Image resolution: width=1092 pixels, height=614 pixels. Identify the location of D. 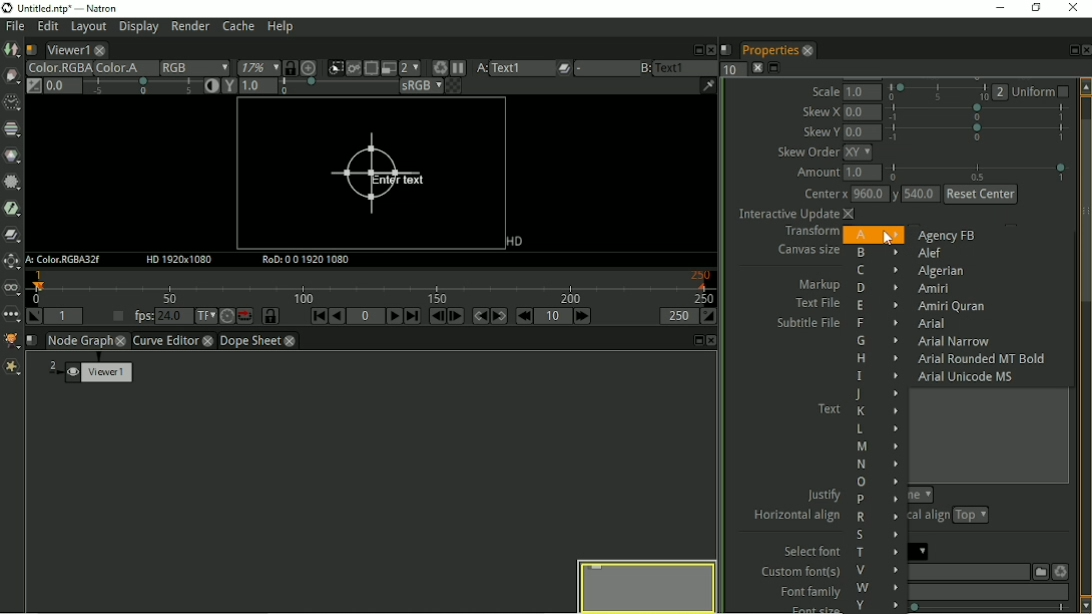
(877, 288).